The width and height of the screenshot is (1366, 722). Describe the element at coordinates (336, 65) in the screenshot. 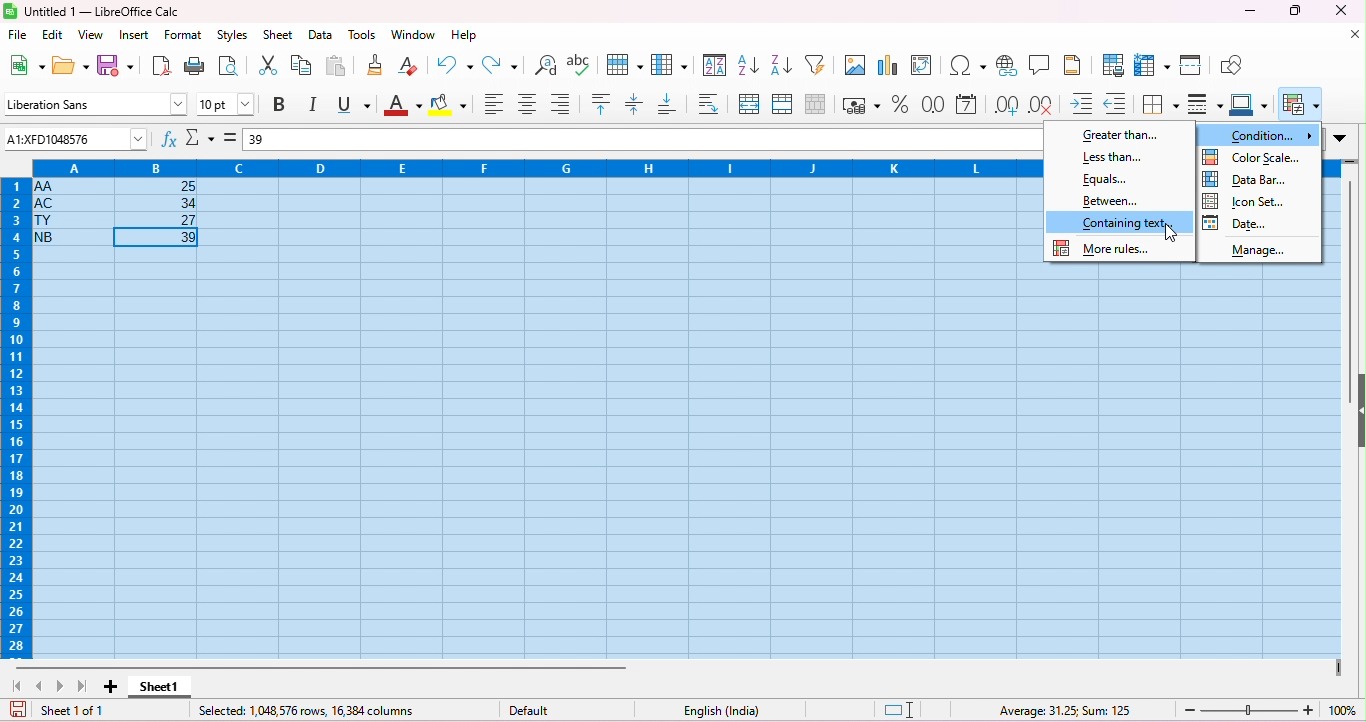

I see `paste` at that location.